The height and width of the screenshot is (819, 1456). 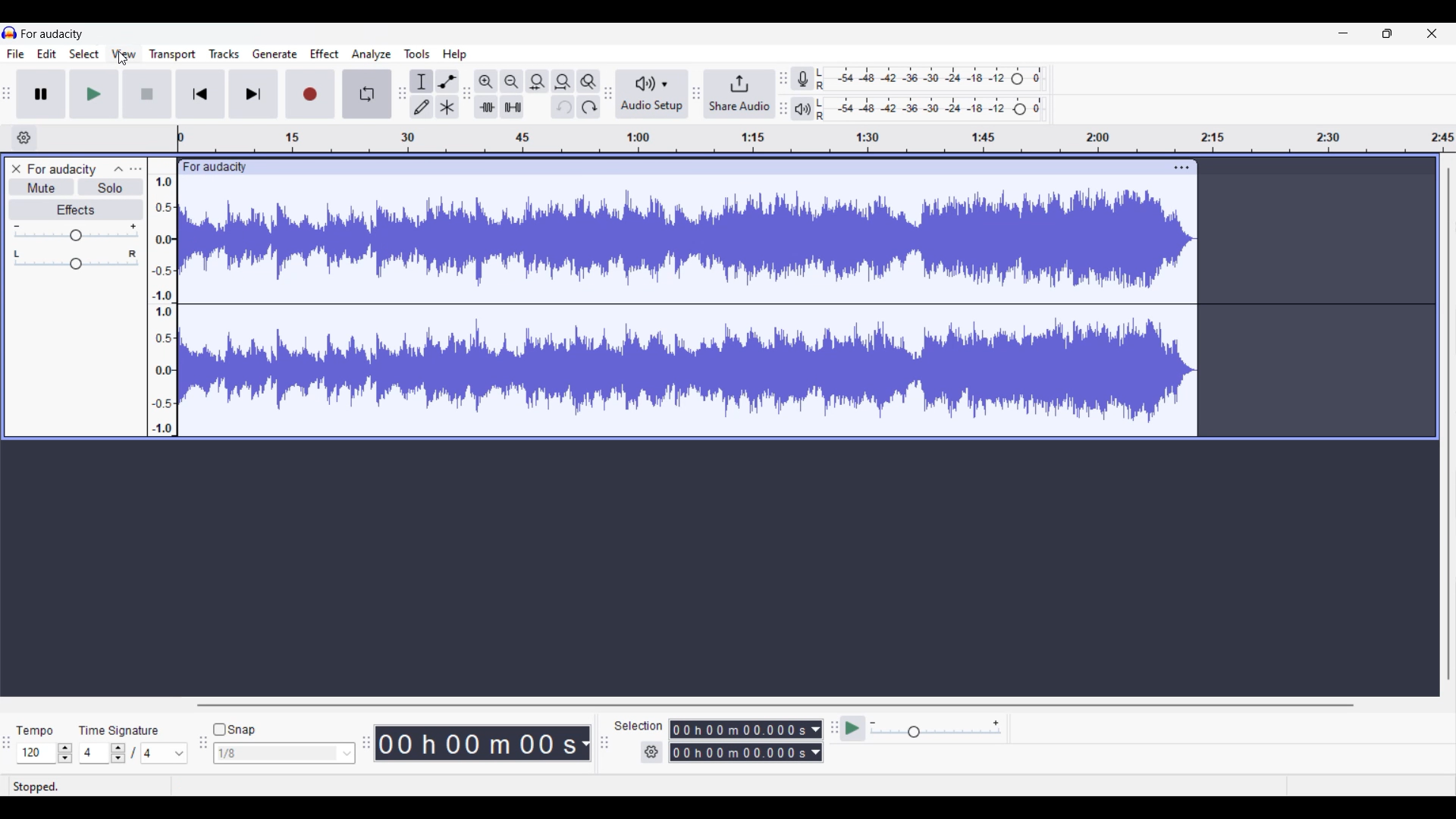 What do you see at coordinates (1344, 33) in the screenshot?
I see `Minimize` at bounding box center [1344, 33].